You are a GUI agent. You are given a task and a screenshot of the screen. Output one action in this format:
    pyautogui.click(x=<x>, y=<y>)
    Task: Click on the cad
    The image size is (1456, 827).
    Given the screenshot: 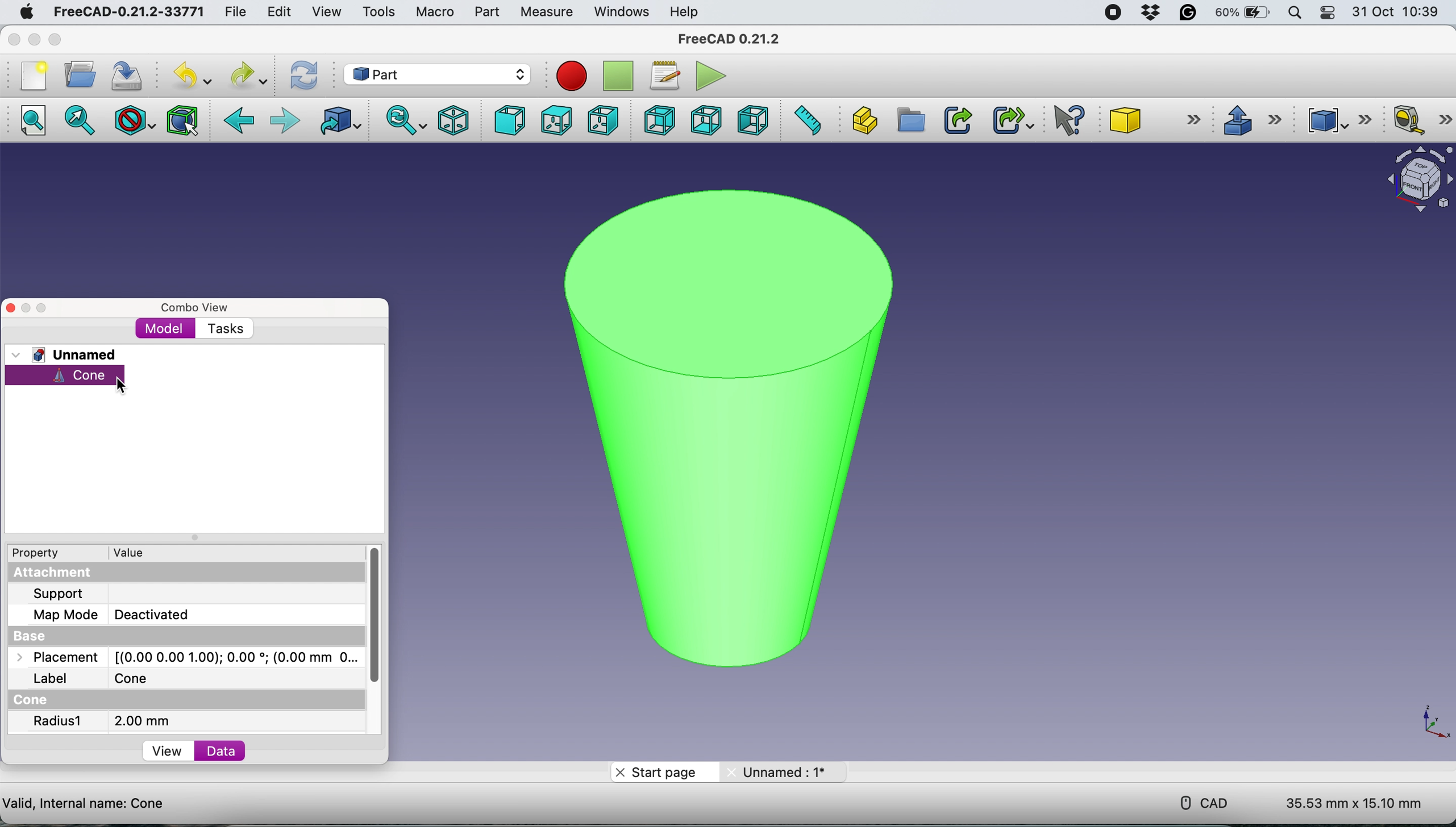 What is the action you would take?
    pyautogui.click(x=1196, y=801)
    